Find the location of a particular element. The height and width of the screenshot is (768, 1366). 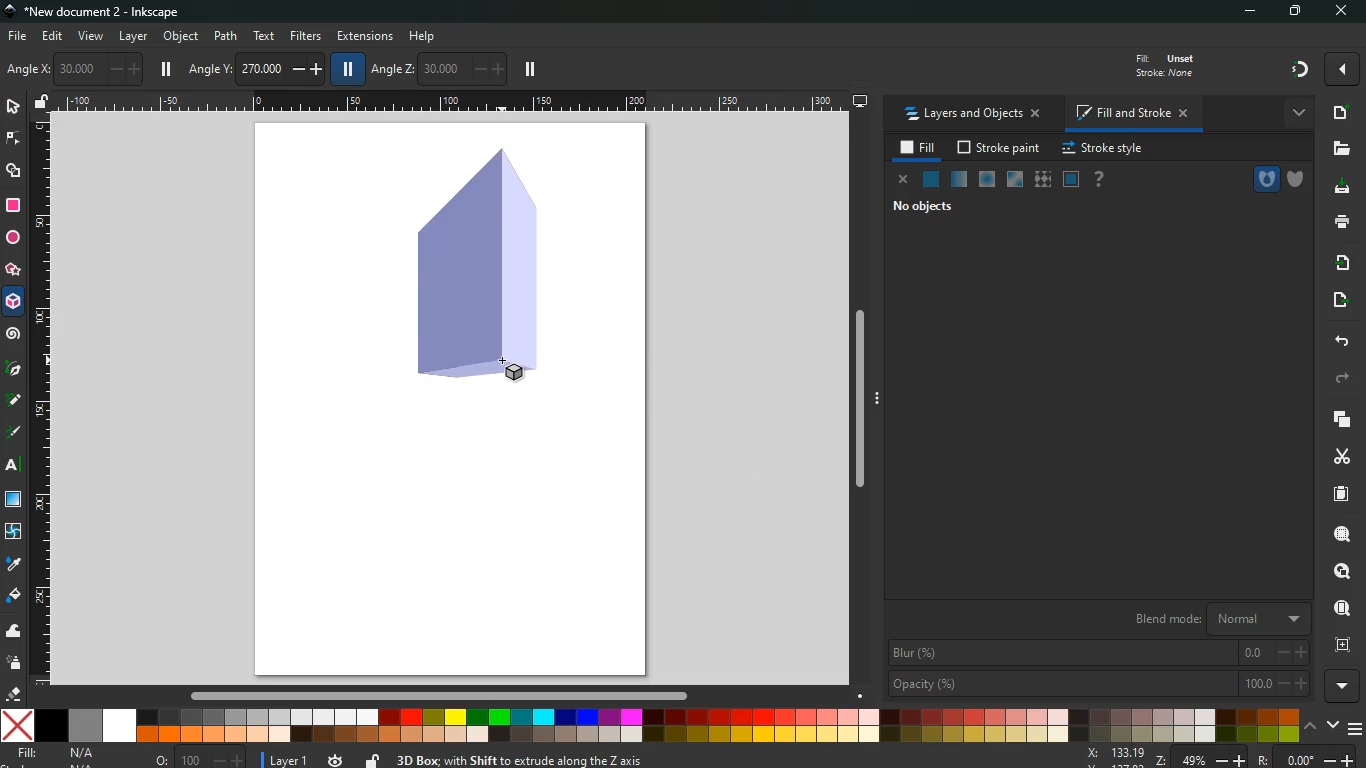

fill and stroke is located at coordinates (1130, 115).